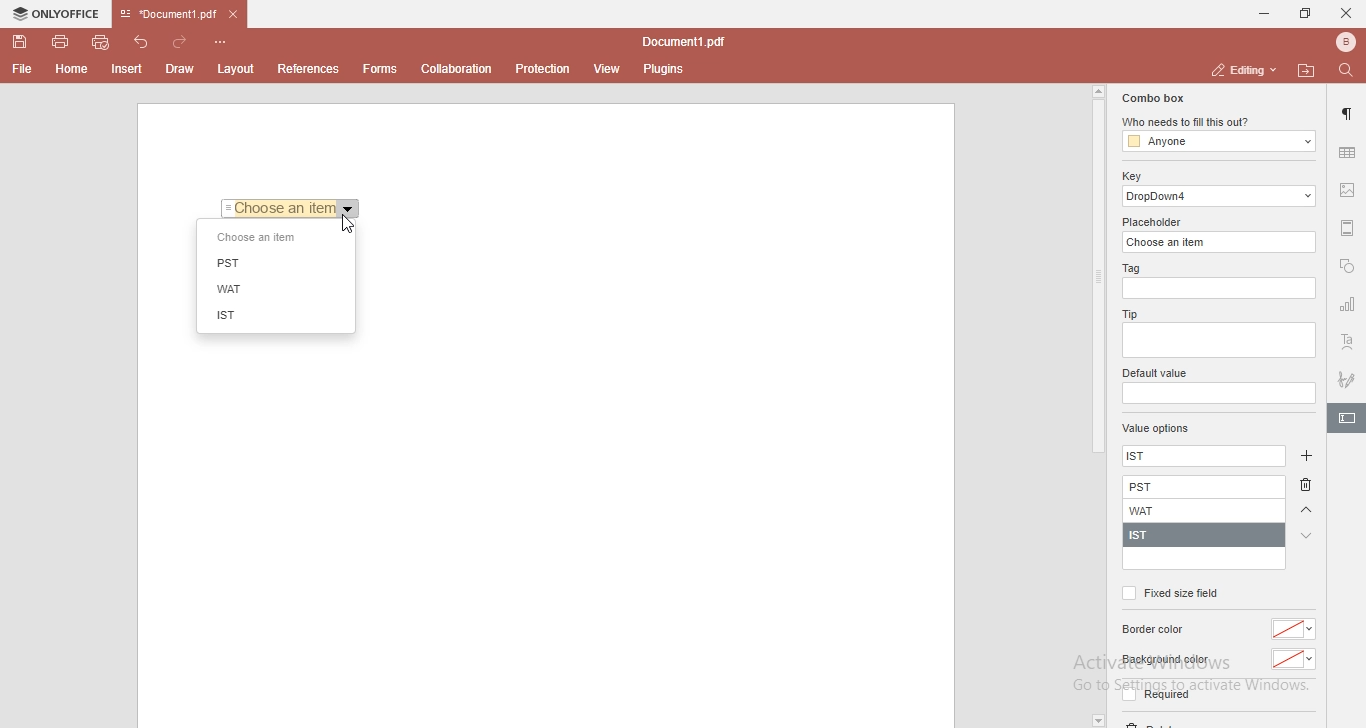  What do you see at coordinates (1348, 343) in the screenshot?
I see `text` at bounding box center [1348, 343].